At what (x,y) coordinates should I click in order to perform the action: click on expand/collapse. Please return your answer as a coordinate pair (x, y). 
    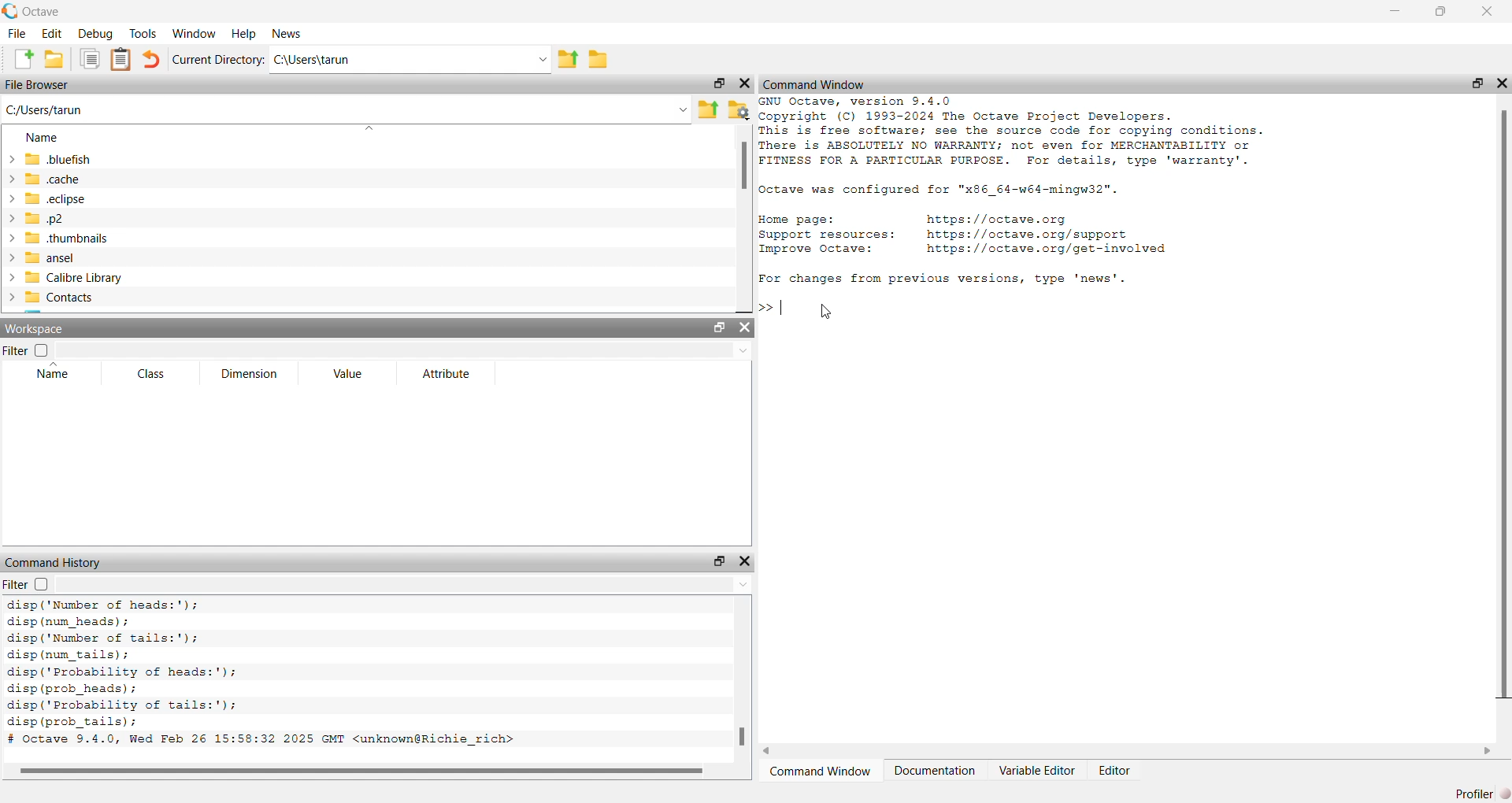
    Looking at the image, I should click on (10, 228).